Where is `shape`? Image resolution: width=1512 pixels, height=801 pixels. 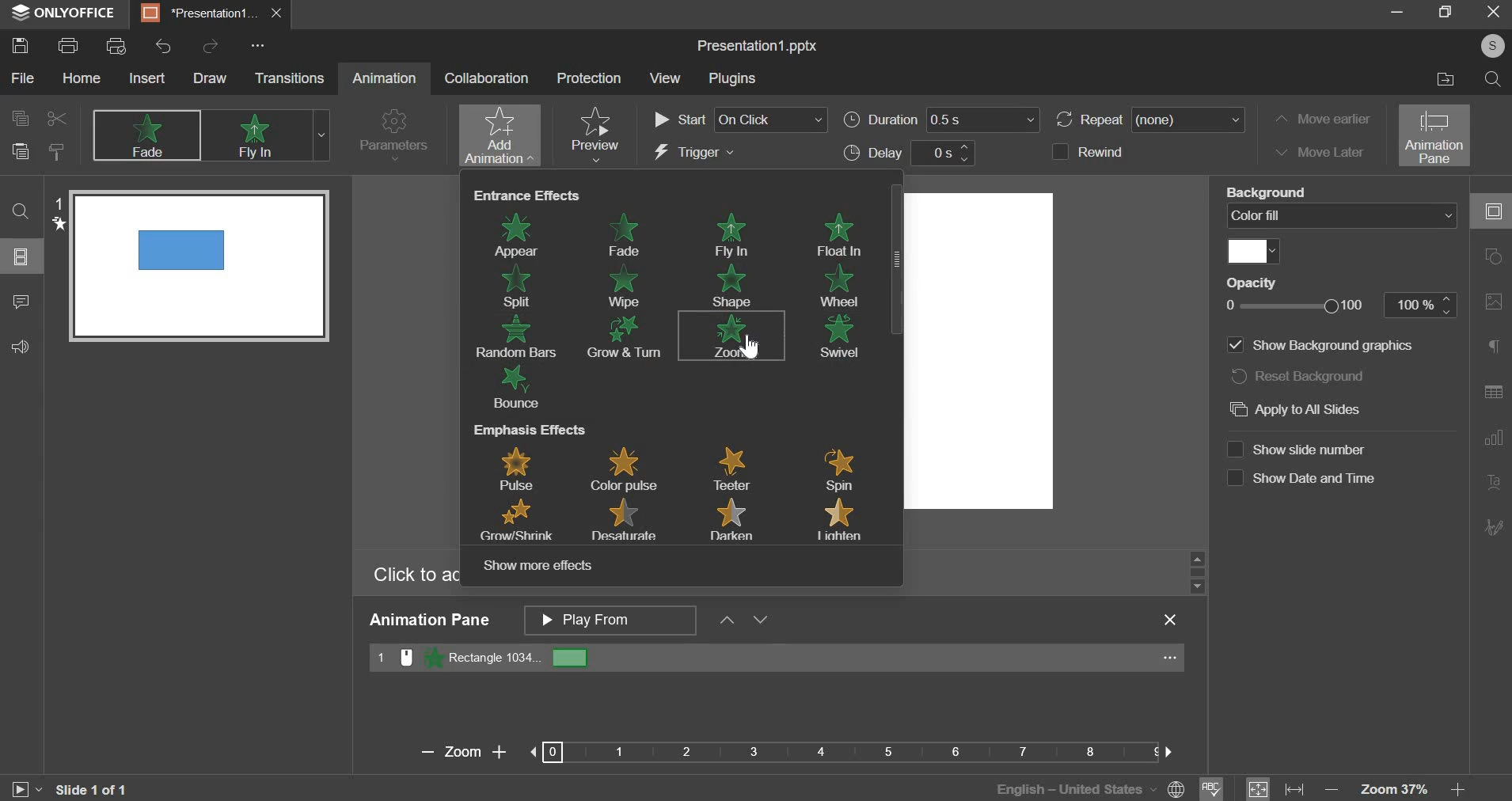 shape is located at coordinates (735, 286).